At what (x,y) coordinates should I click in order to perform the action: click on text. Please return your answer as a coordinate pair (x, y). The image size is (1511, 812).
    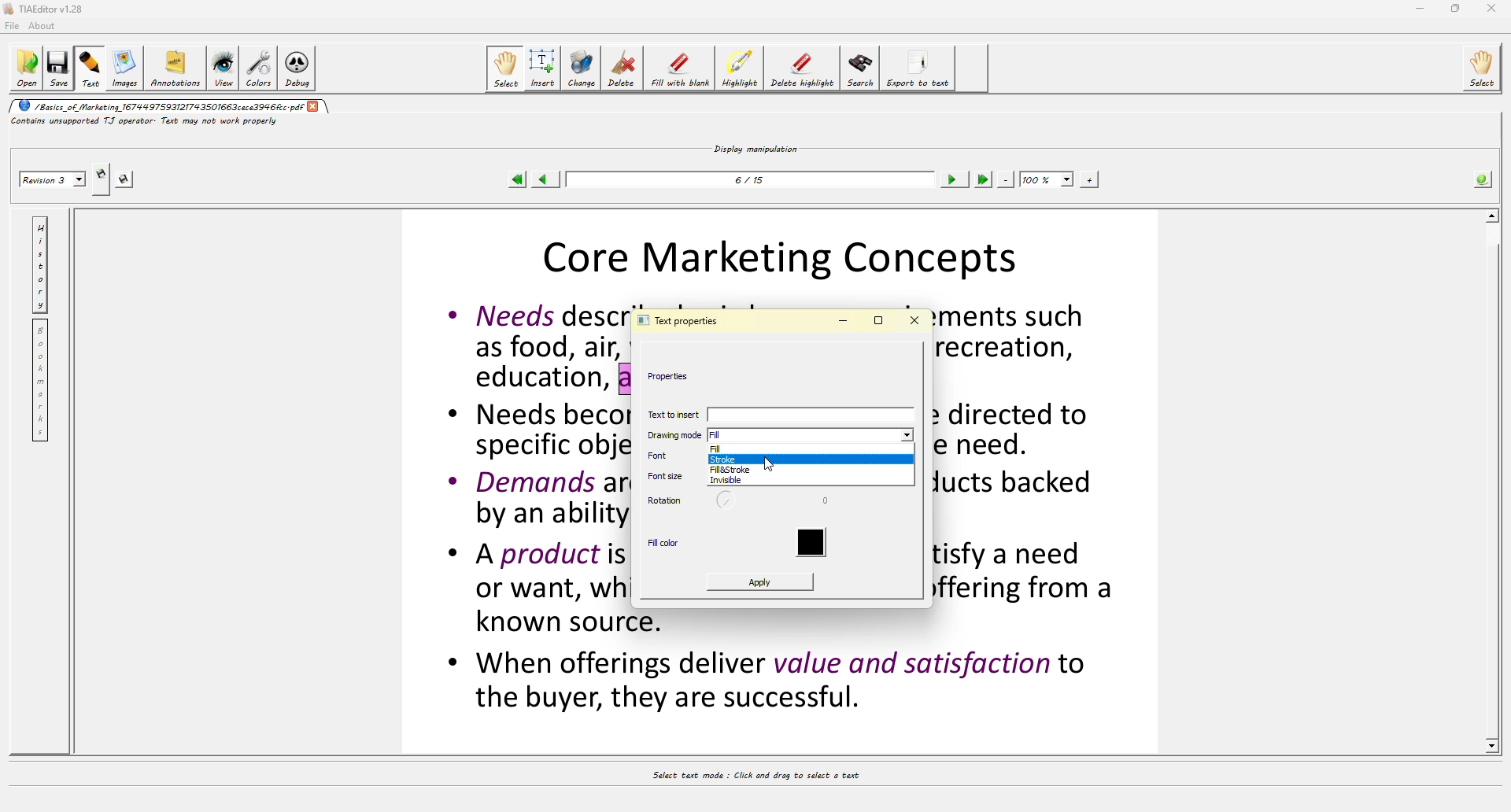
    Looking at the image, I should click on (91, 68).